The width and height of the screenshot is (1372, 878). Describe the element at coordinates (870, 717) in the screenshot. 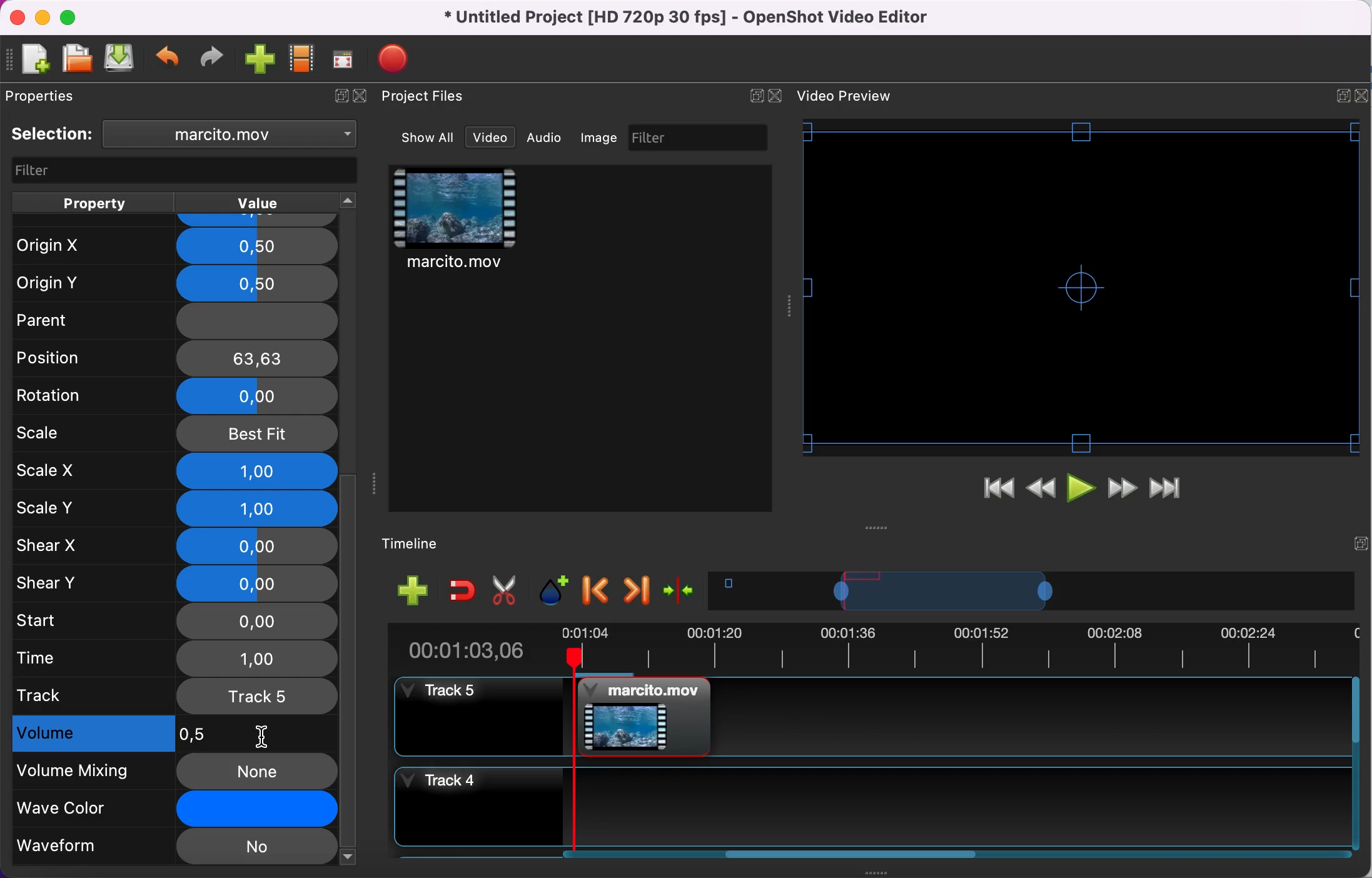

I see `track 5` at that location.